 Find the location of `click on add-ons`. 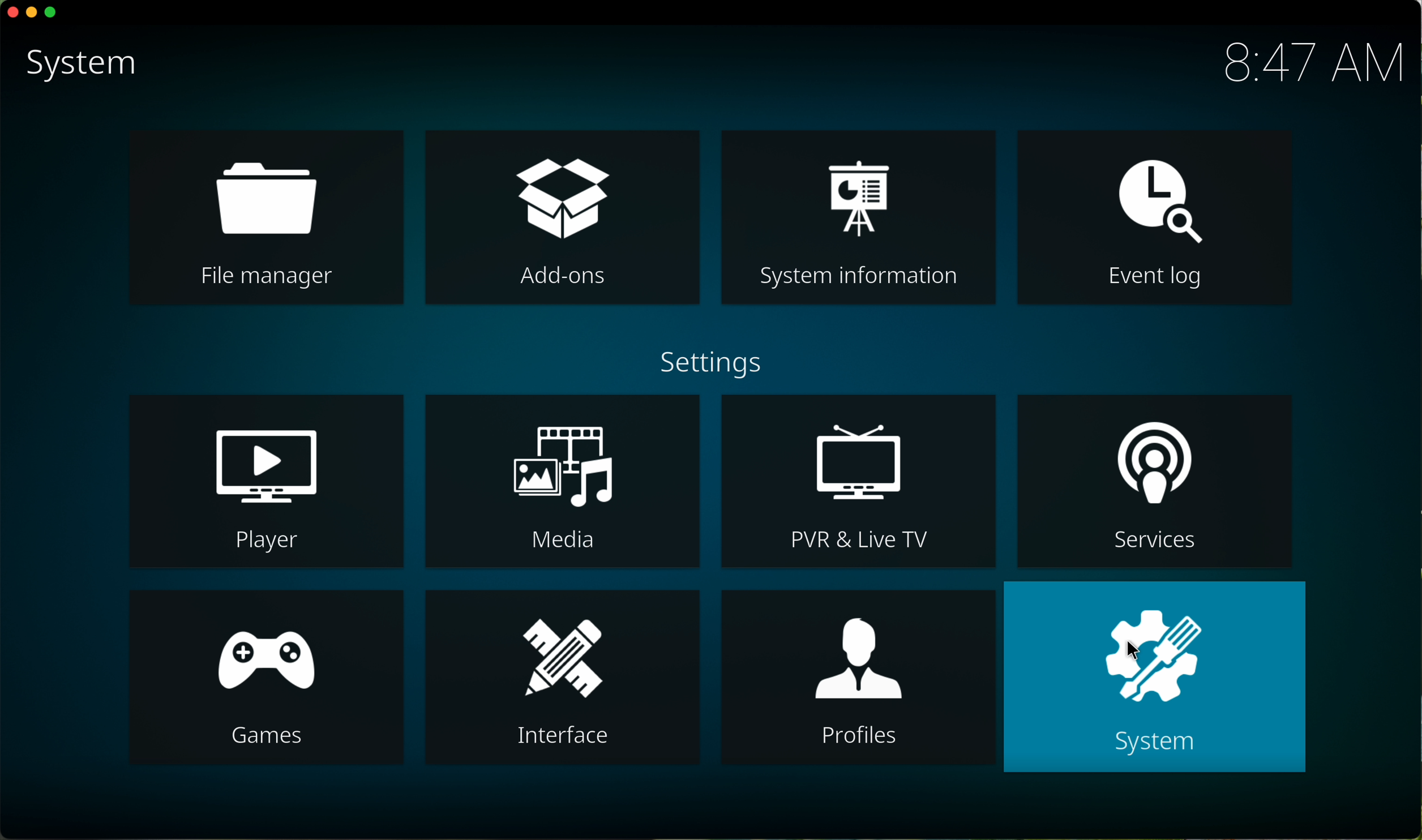

click on add-ons is located at coordinates (562, 217).